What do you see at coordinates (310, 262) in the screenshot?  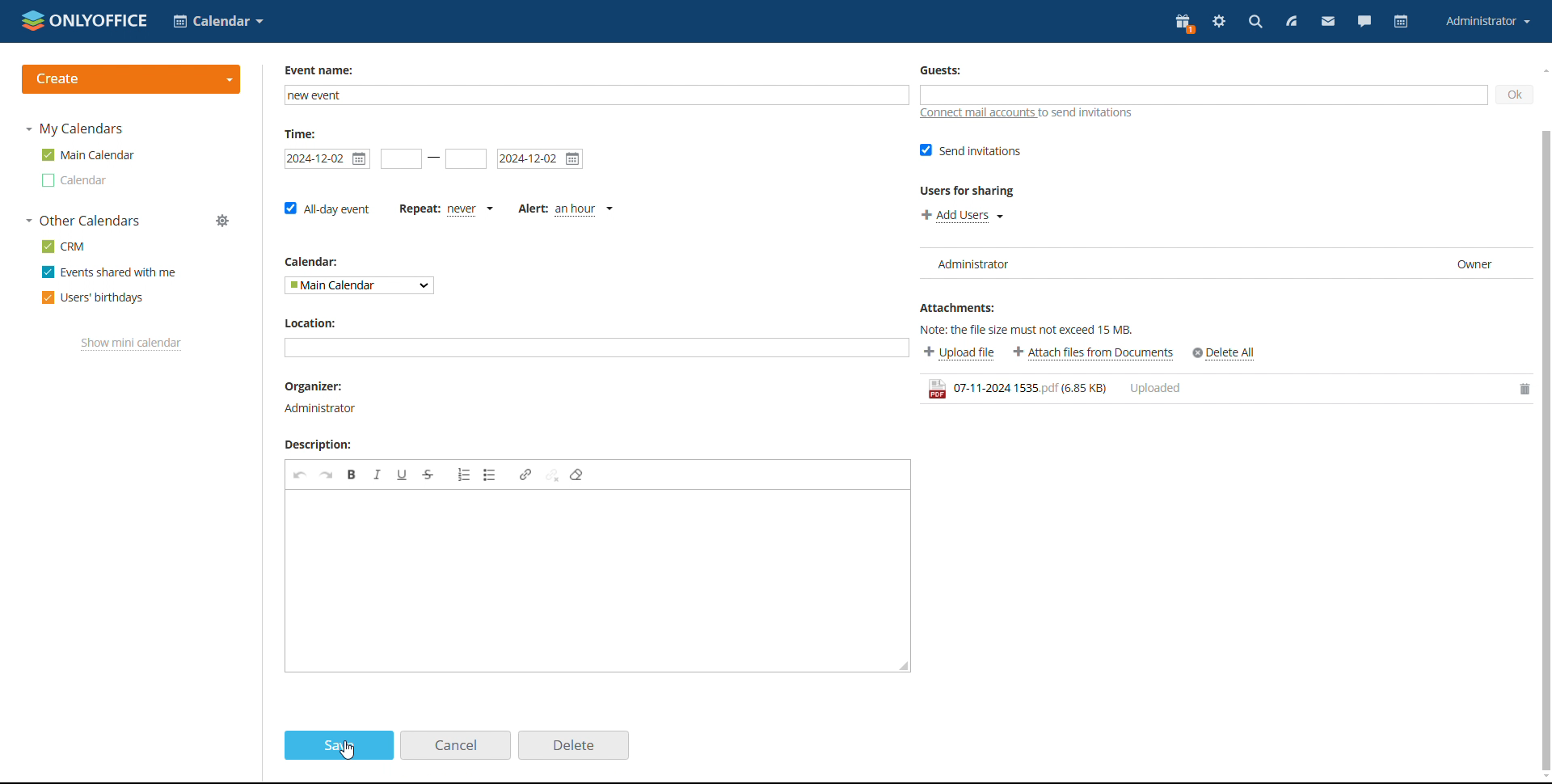 I see `calendar` at bounding box center [310, 262].